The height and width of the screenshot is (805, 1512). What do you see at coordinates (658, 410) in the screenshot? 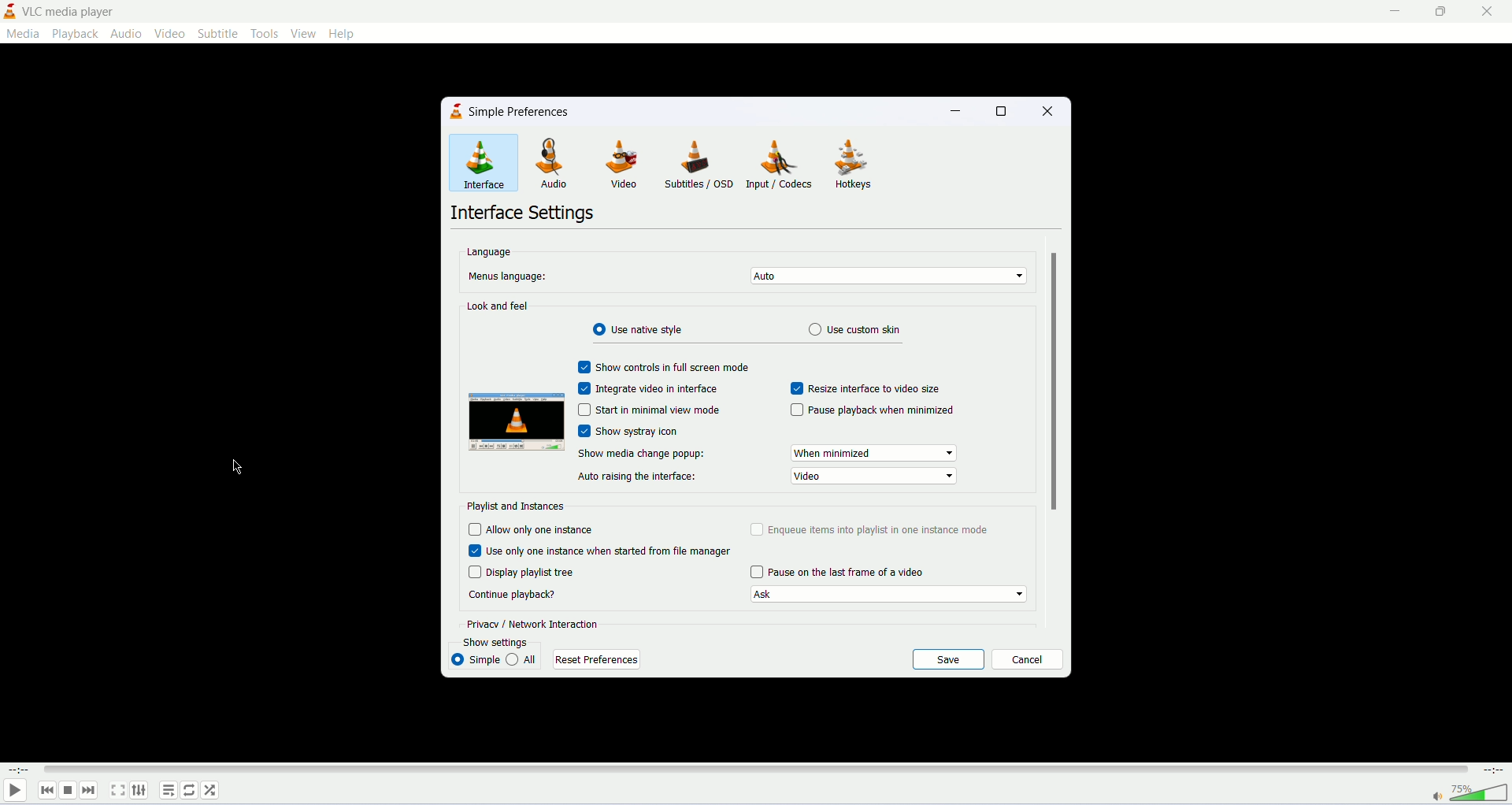
I see `start in minimal view mode` at bounding box center [658, 410].